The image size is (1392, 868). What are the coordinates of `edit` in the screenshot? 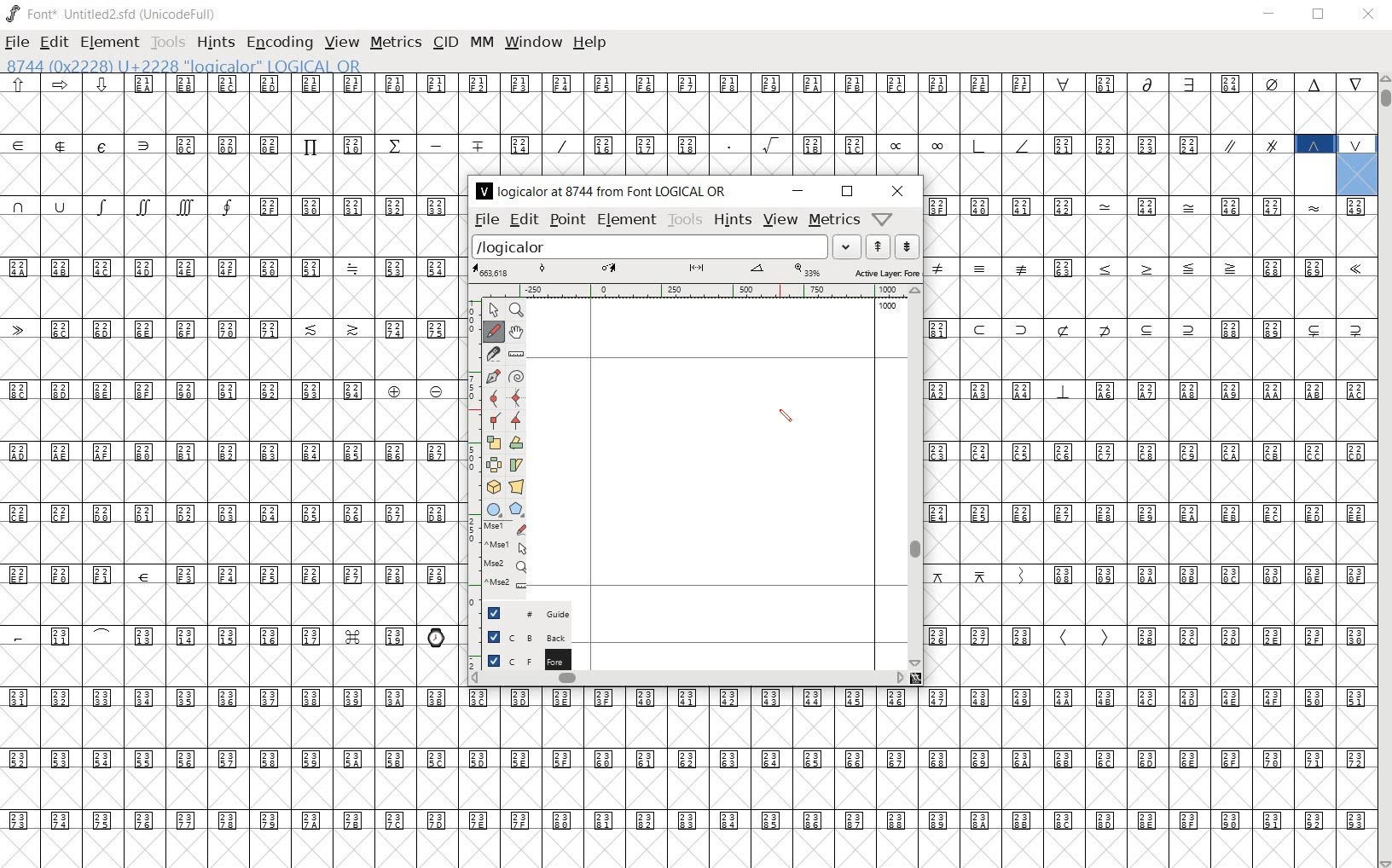 It's located at (524, 221).